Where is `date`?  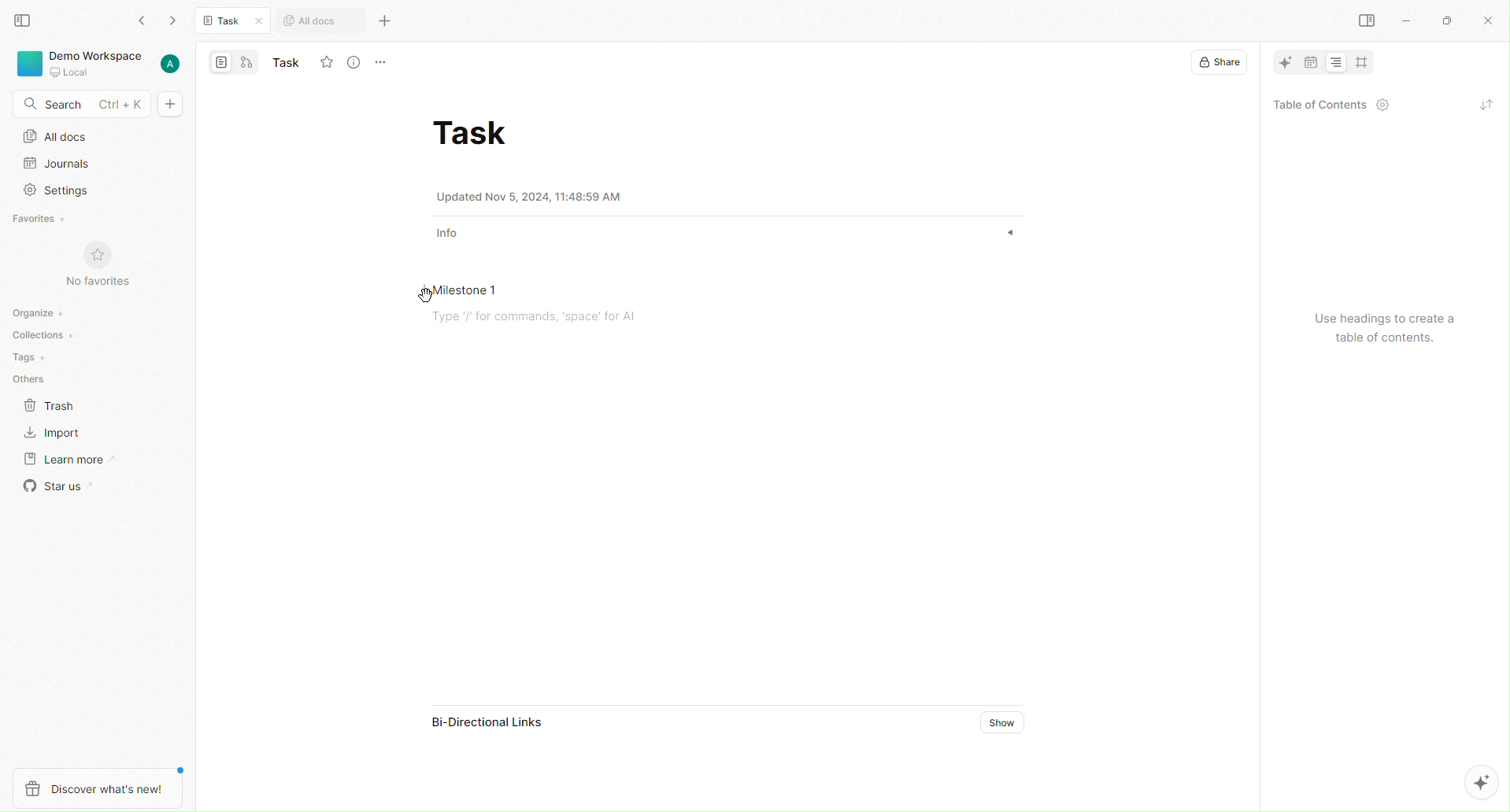
date is located at coordinates (1309, 61).